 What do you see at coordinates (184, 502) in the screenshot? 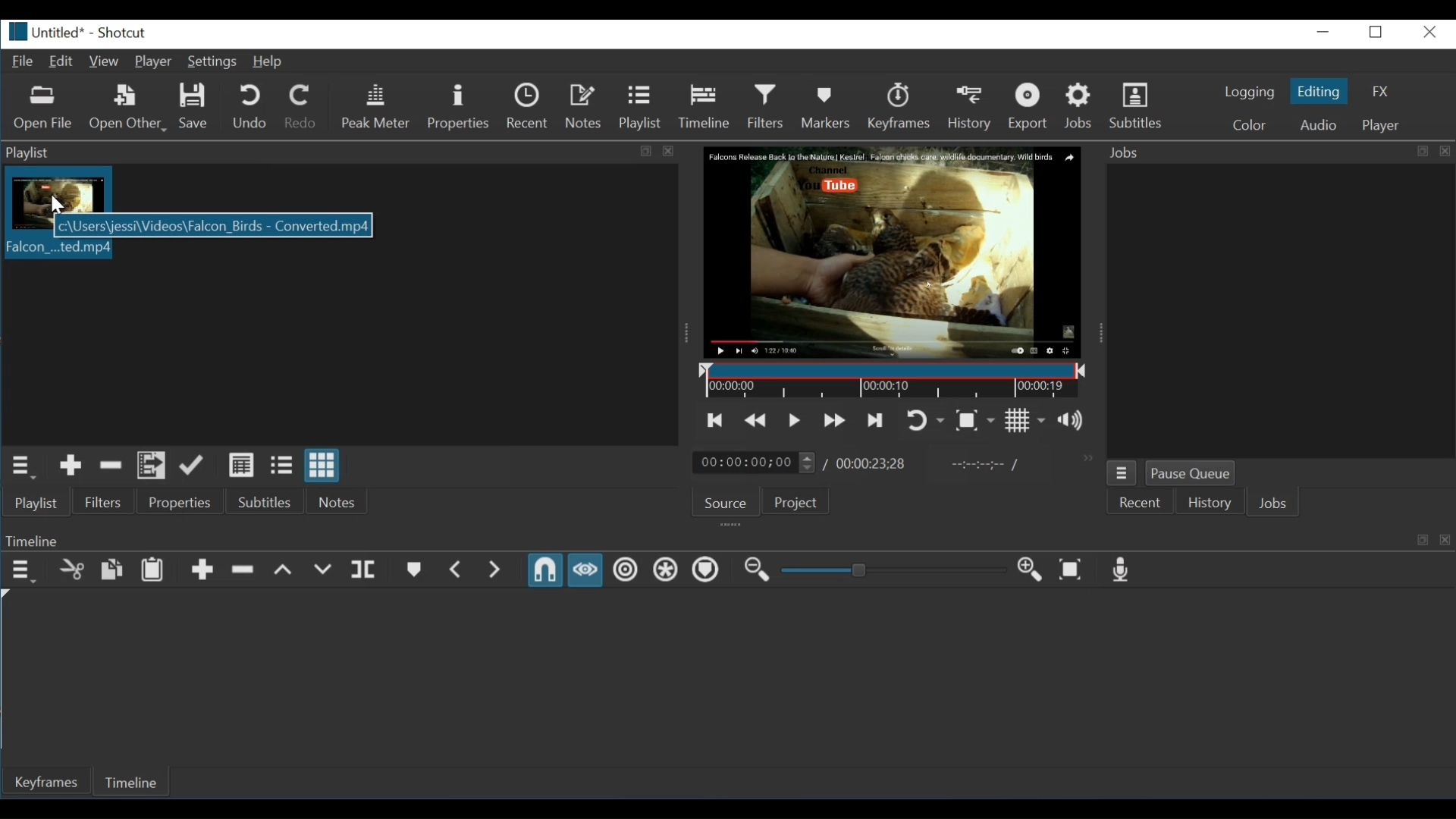
I see `Properties` at bounding box center [184, 502].